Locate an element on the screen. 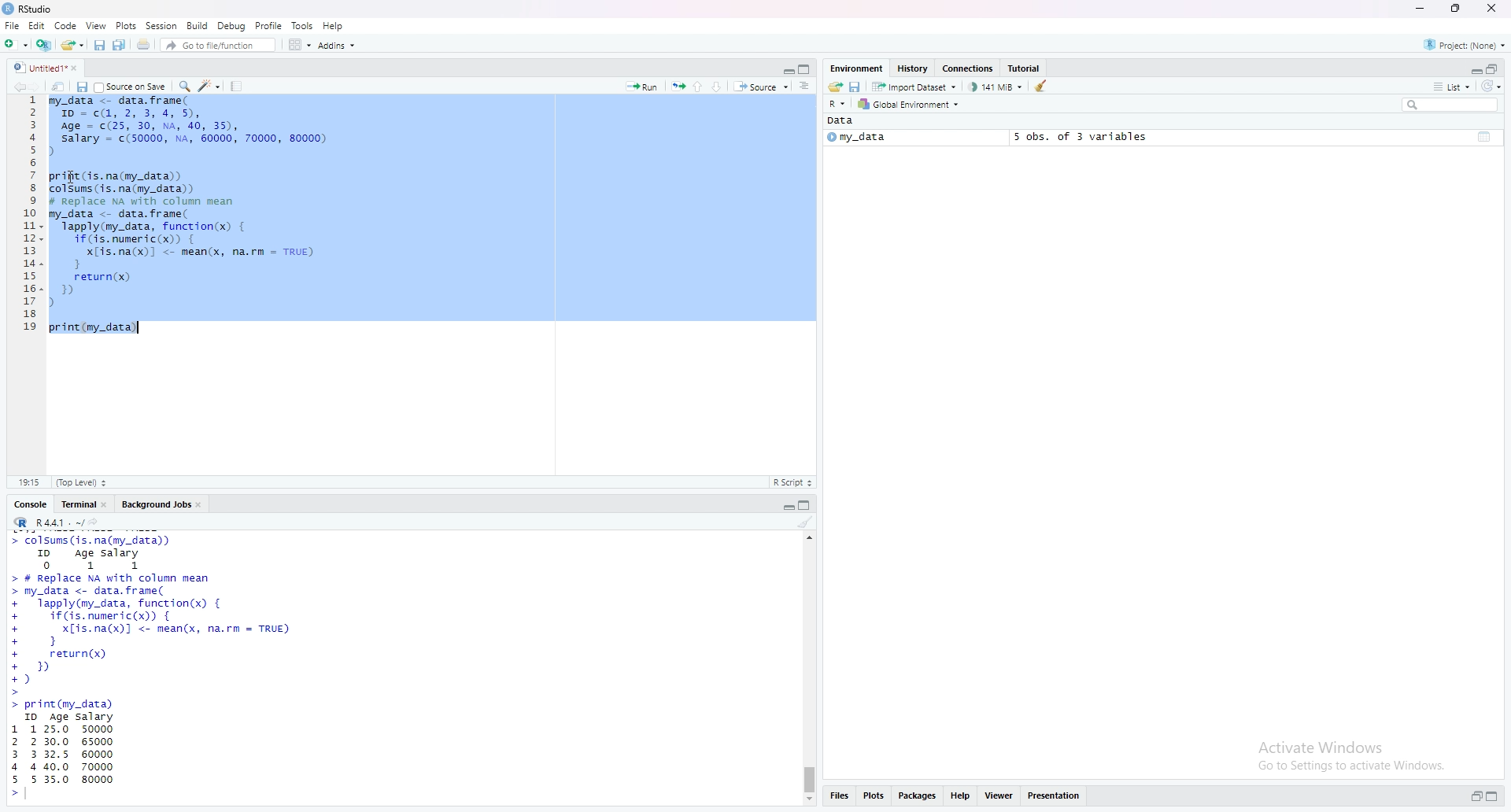 This screenshot has width=1511, height=812. Tools is located at coordinates (303, 24).